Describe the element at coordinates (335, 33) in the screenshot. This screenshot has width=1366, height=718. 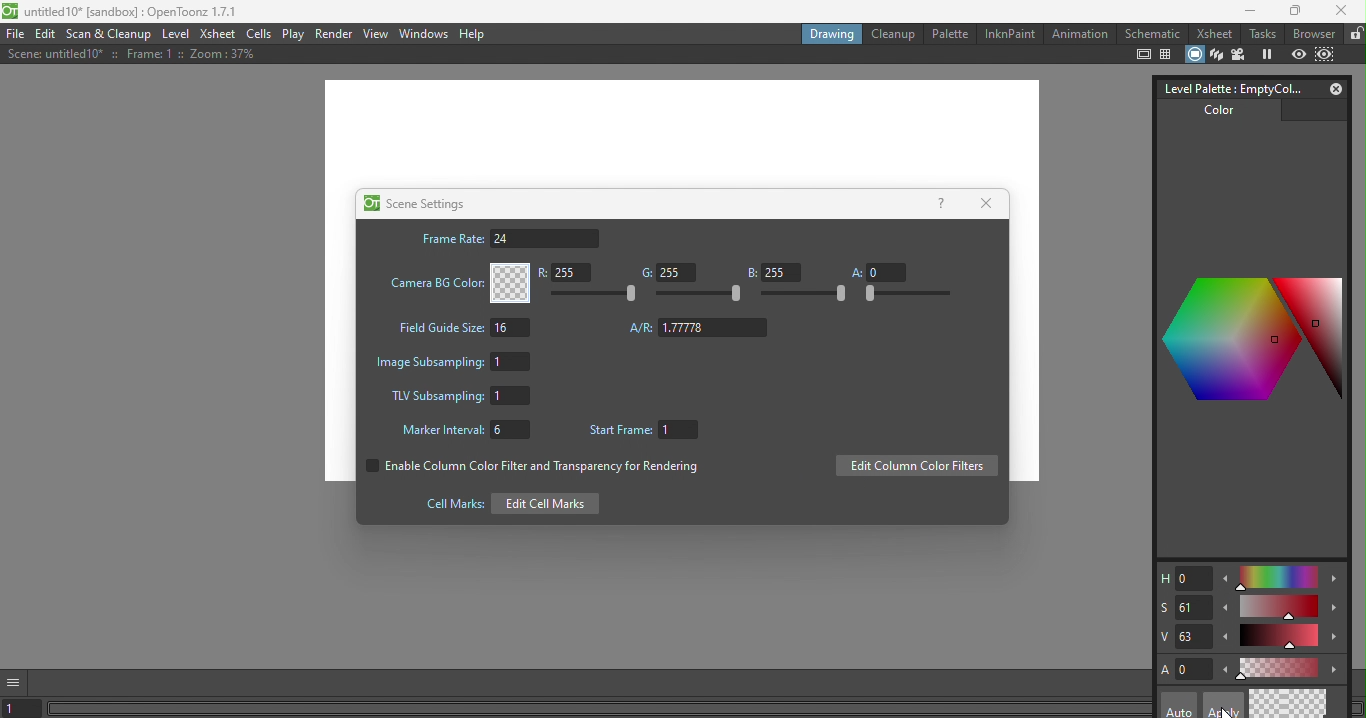
I see `Render` at that location.